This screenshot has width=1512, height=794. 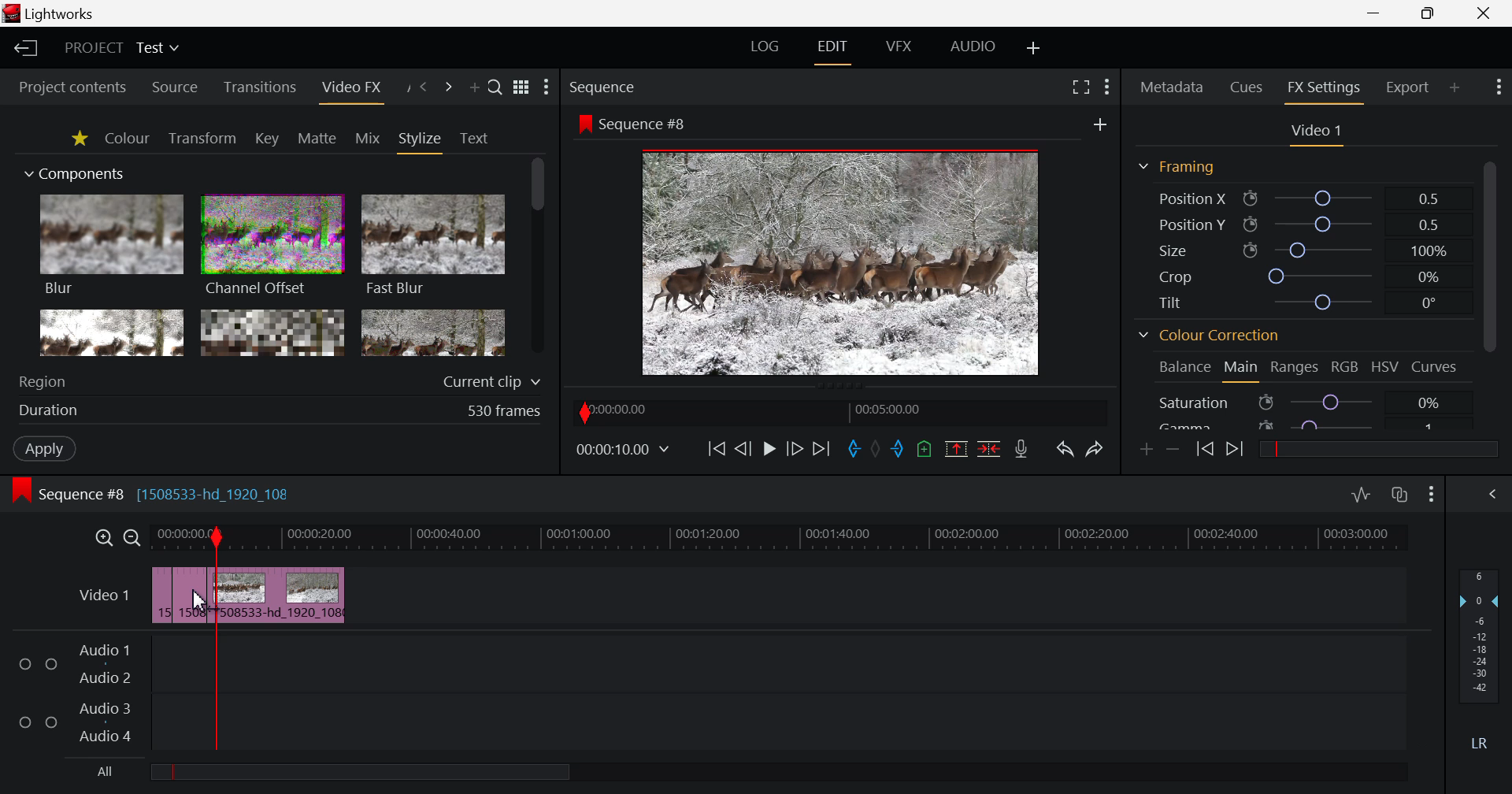 I want to click on First Clip Cut, so click(x=174, y=599).